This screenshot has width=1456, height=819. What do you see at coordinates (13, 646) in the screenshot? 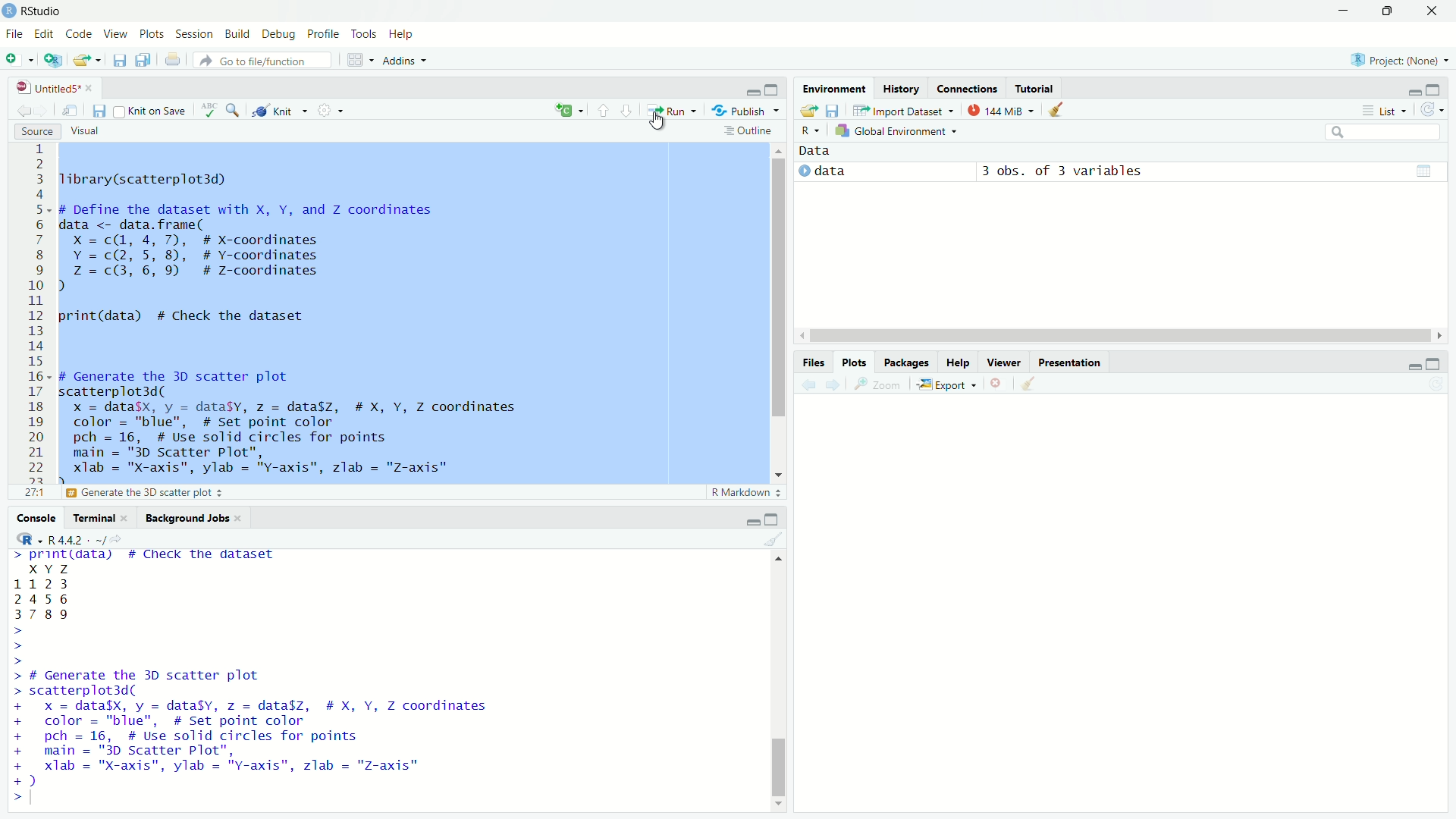
I see `prompt cursor` at bounding box center [13, 646].